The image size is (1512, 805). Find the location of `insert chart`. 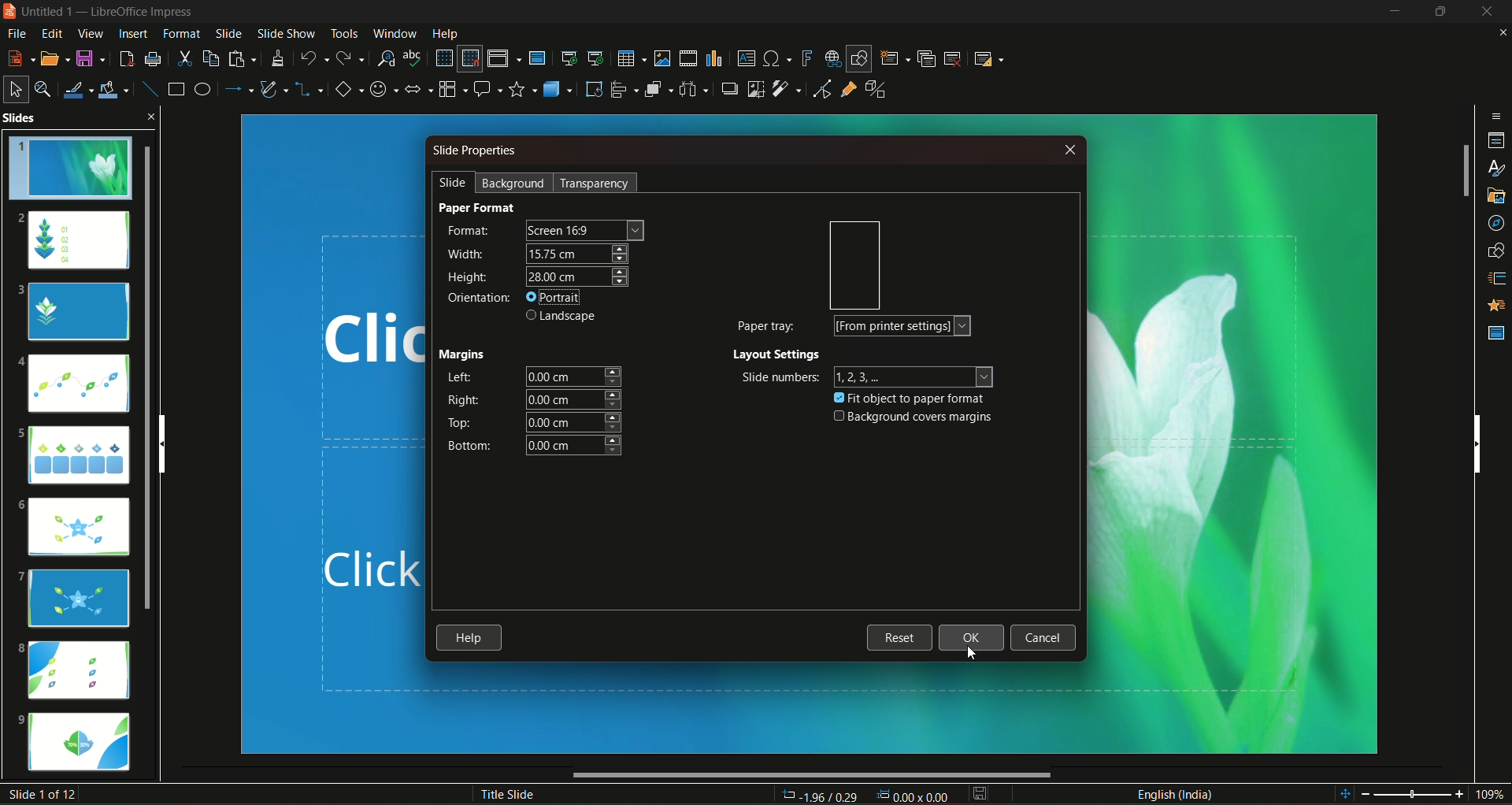

insert chart is located at coordinates (714, 57).